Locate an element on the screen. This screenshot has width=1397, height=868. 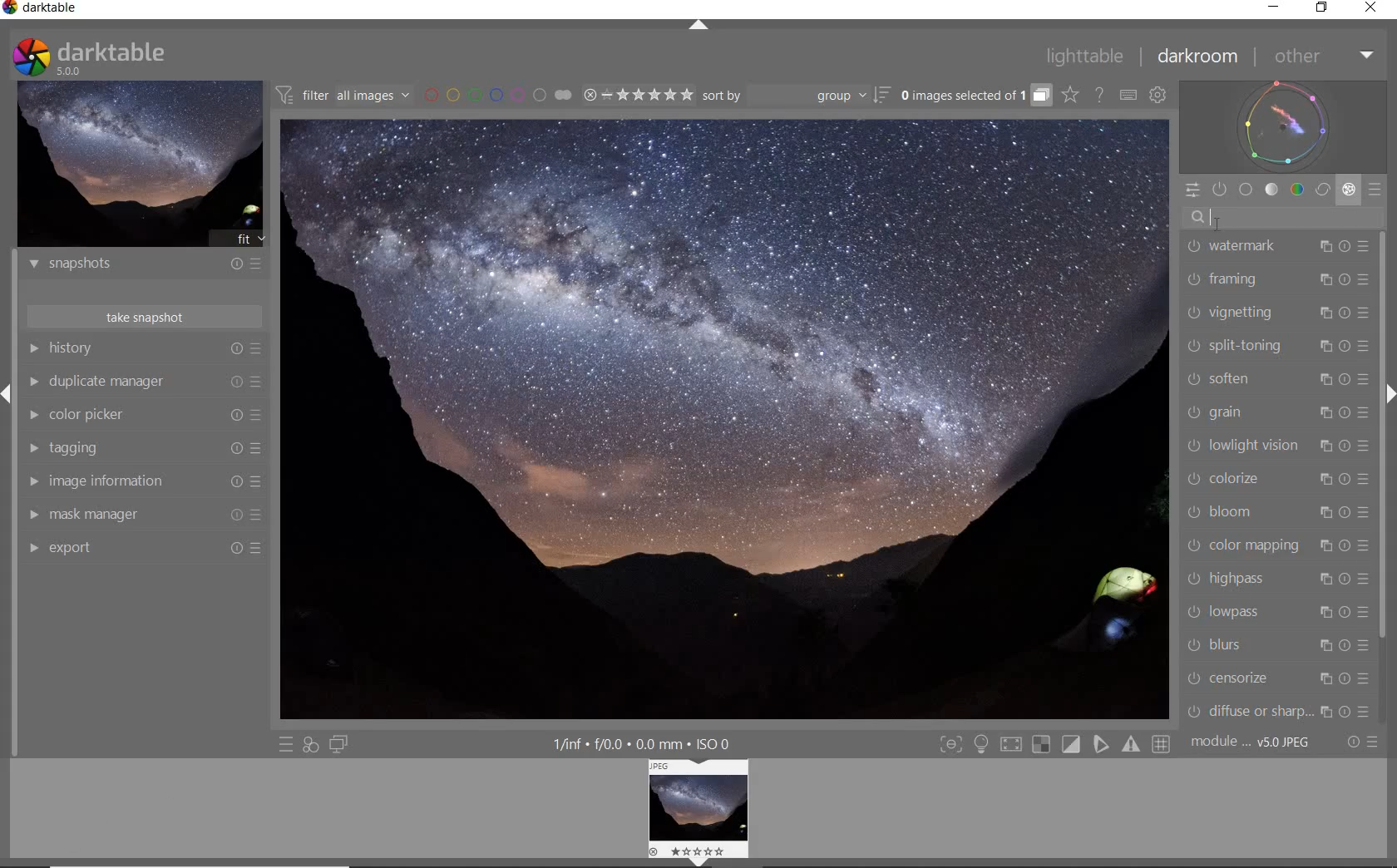
Reset is located at coordinates (233, 548).